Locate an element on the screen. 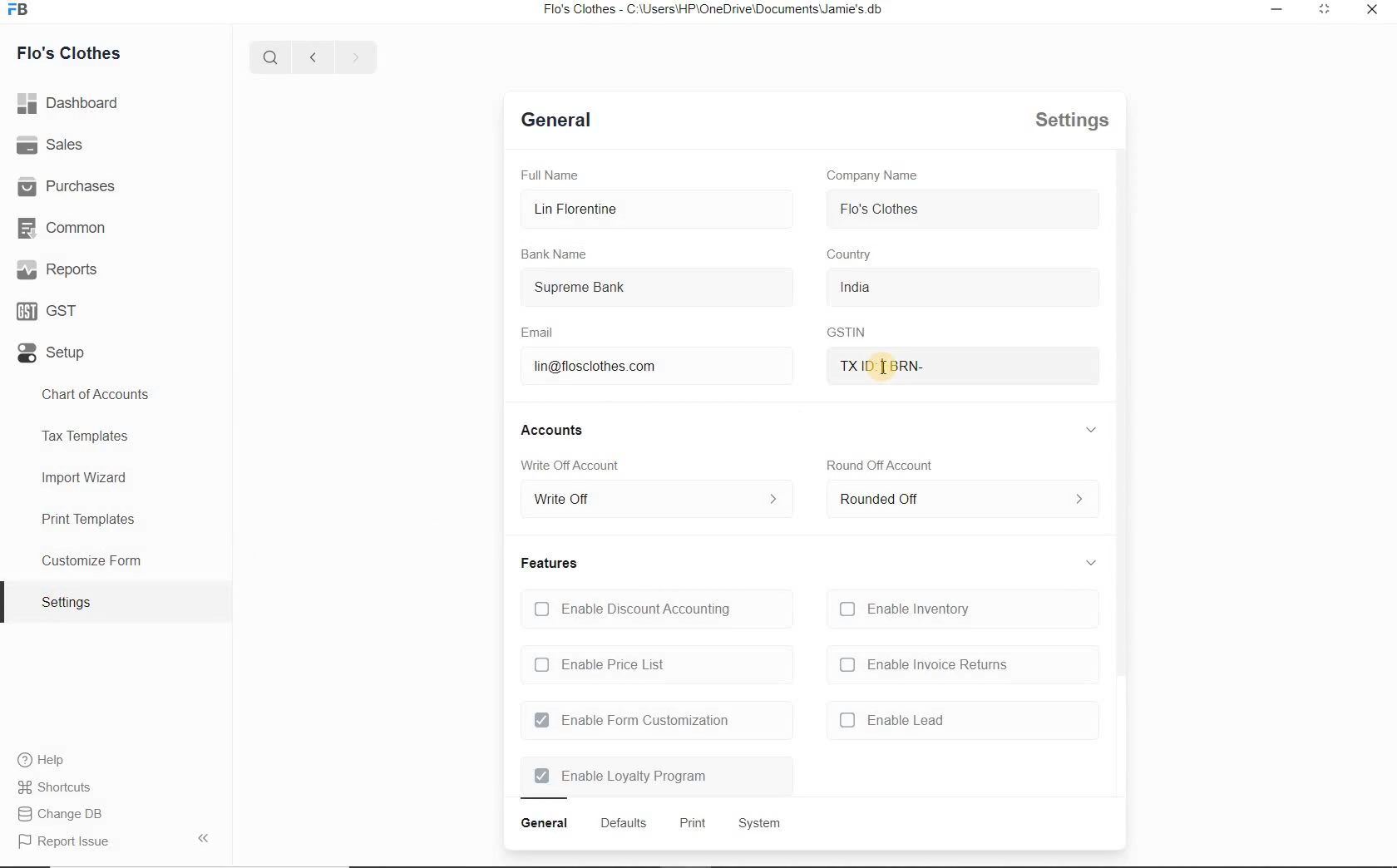 The image size is (1397, 868). Company Name is located at coordinates (873, 175).